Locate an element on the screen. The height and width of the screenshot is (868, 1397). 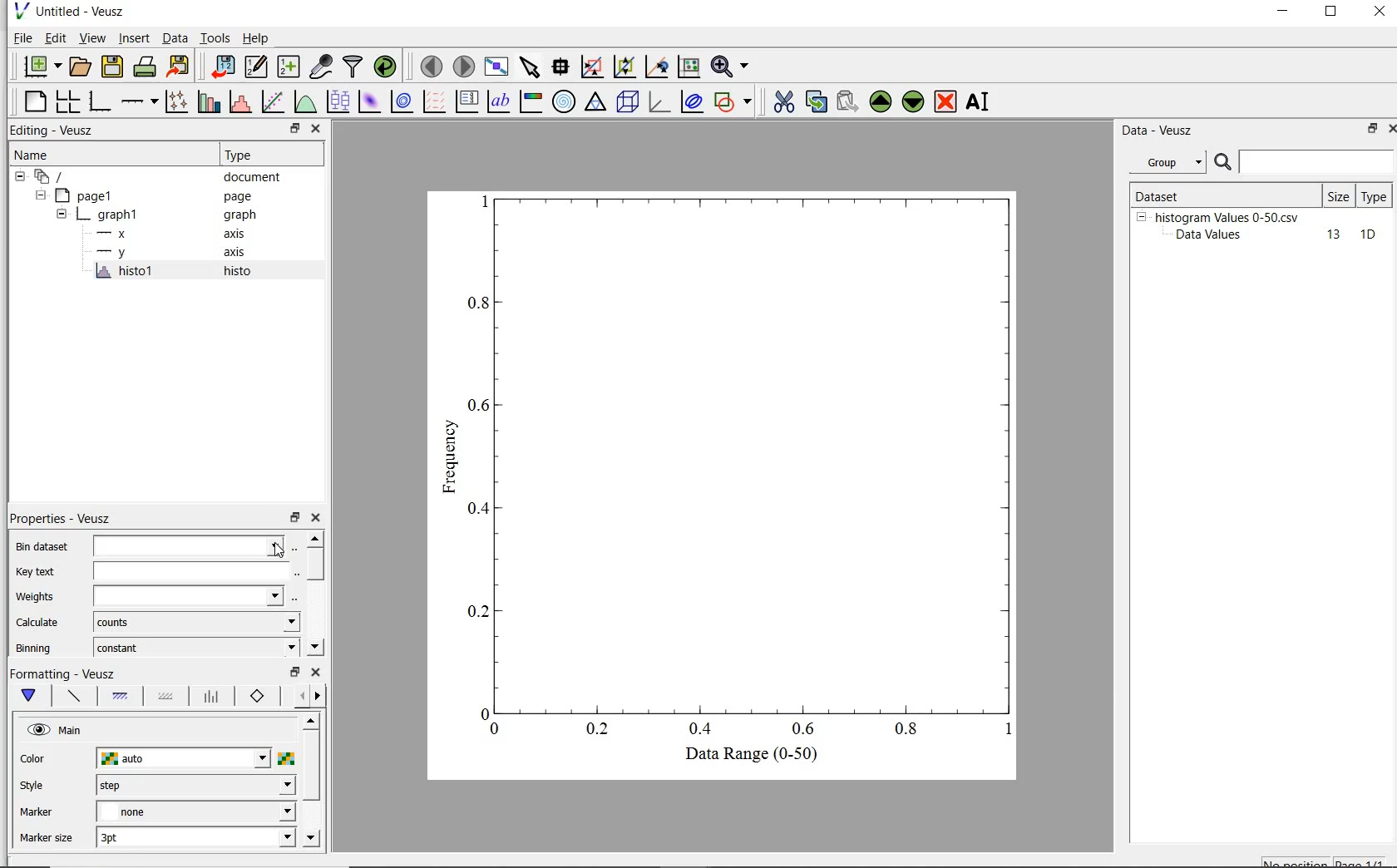
hide is located at coordinates (1141, 216).